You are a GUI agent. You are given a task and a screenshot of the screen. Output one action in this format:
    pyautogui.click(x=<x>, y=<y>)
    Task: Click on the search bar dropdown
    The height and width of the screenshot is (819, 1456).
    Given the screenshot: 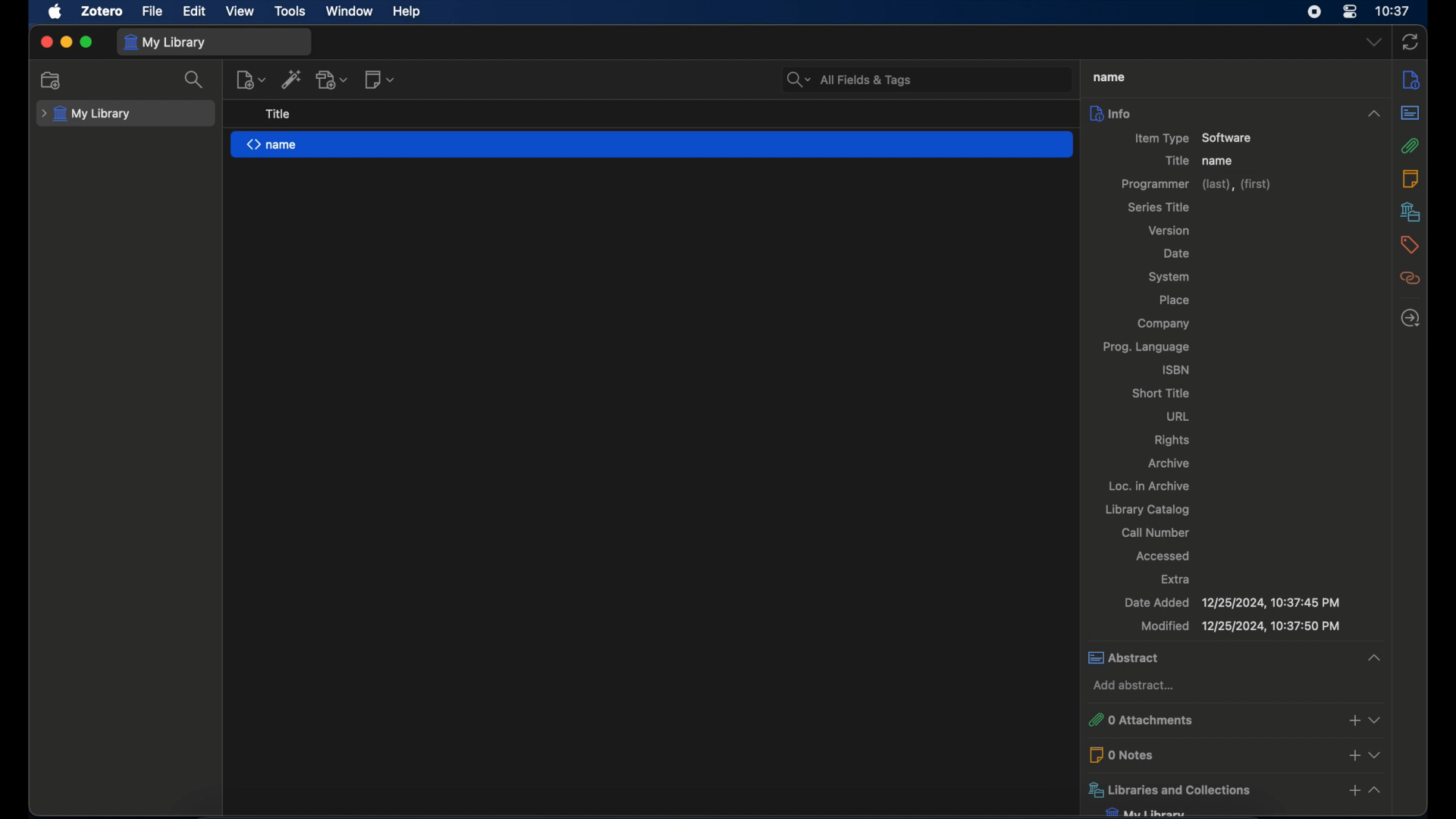 What is the action you would take?
    pyautogui.click(x=795, y=80)
    